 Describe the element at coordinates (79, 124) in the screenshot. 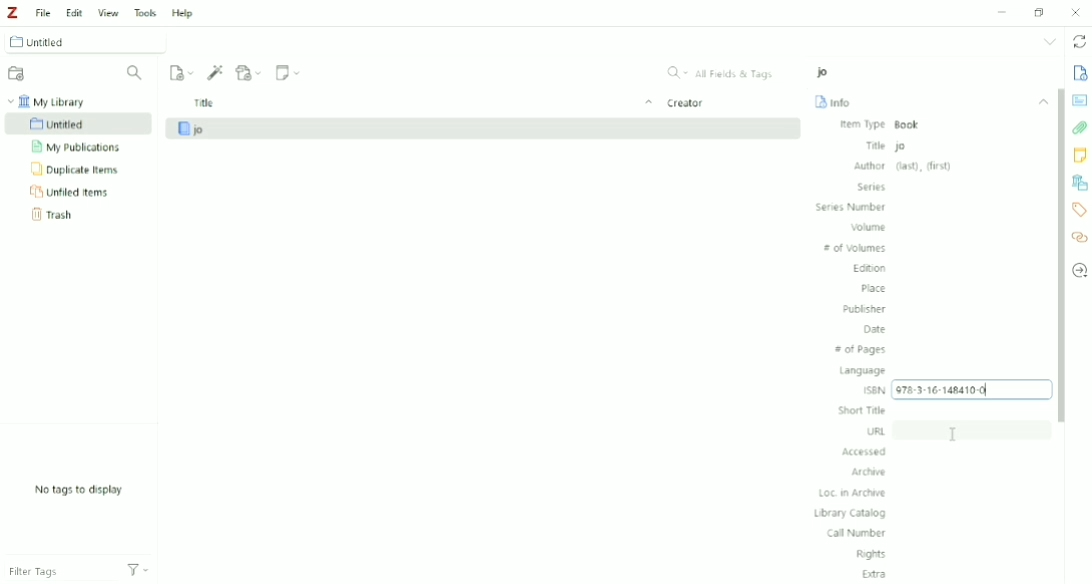

I see `Untitled` at that location.